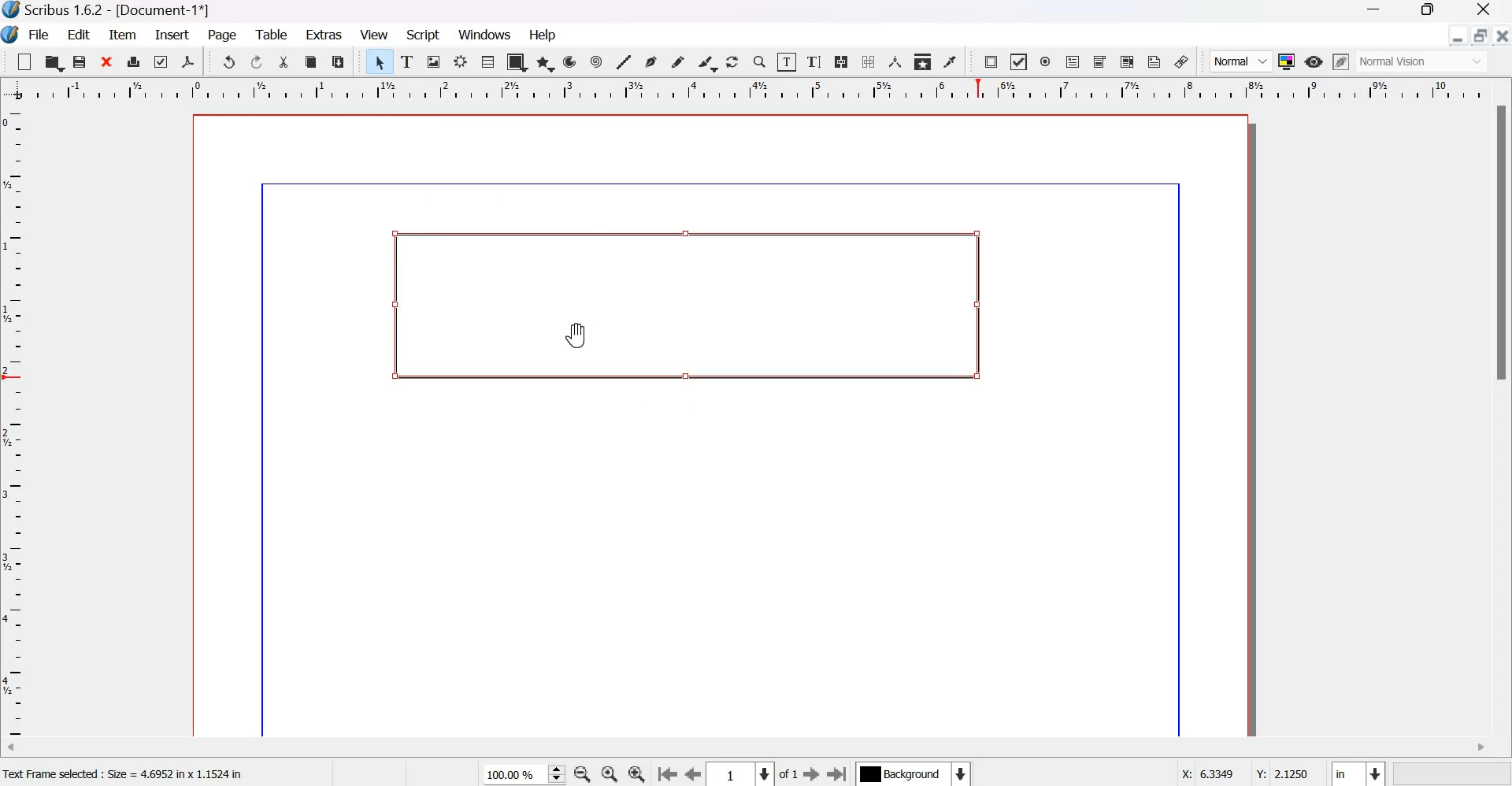 Image resolution: width=1512 pixels, height=786 pixels. I want to click on Normal Vision, so click(1424, 61).